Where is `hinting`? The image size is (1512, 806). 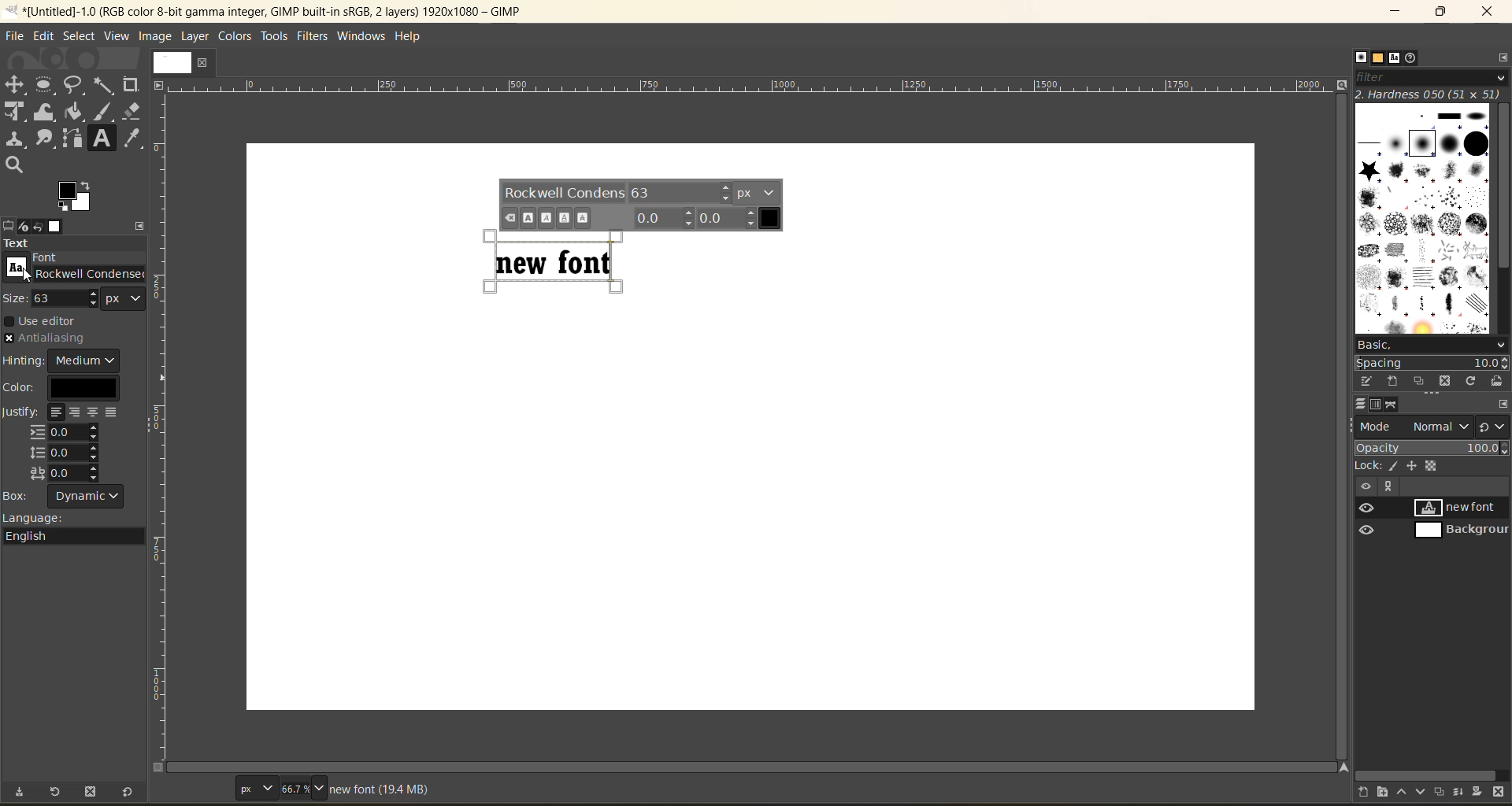
hinting is located at coordinates (65, 361).